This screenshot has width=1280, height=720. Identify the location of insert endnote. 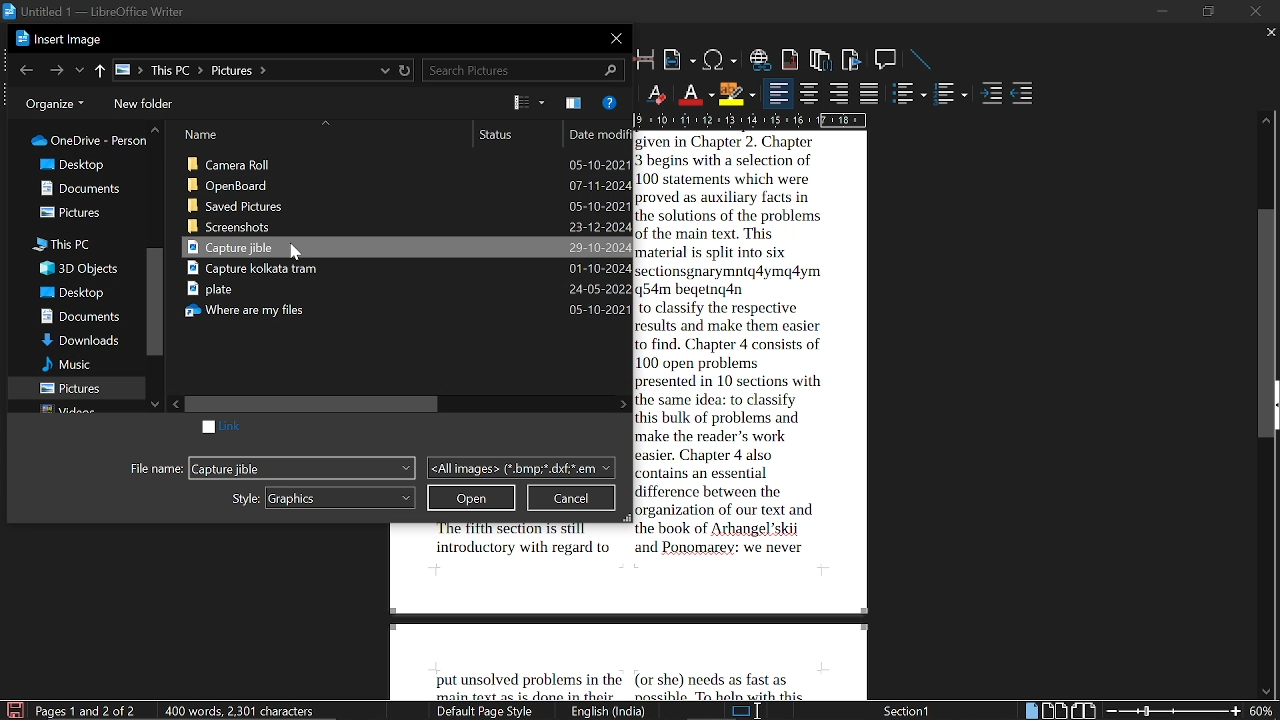
(822, 59).